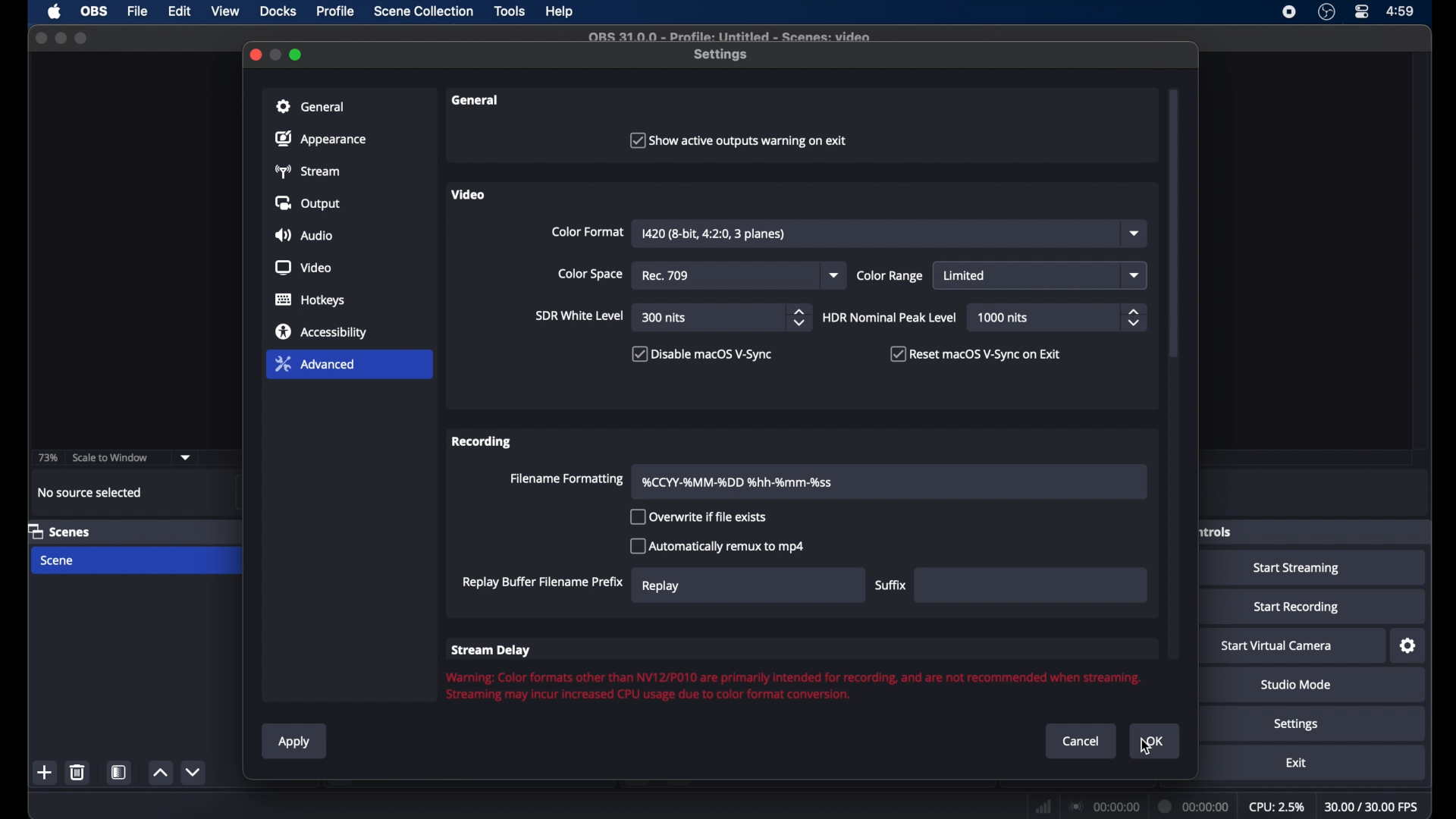  What do you see at coordinates (1295, 607) in the screenshot?
I see `start recording` at bounding box center [1295, 607].